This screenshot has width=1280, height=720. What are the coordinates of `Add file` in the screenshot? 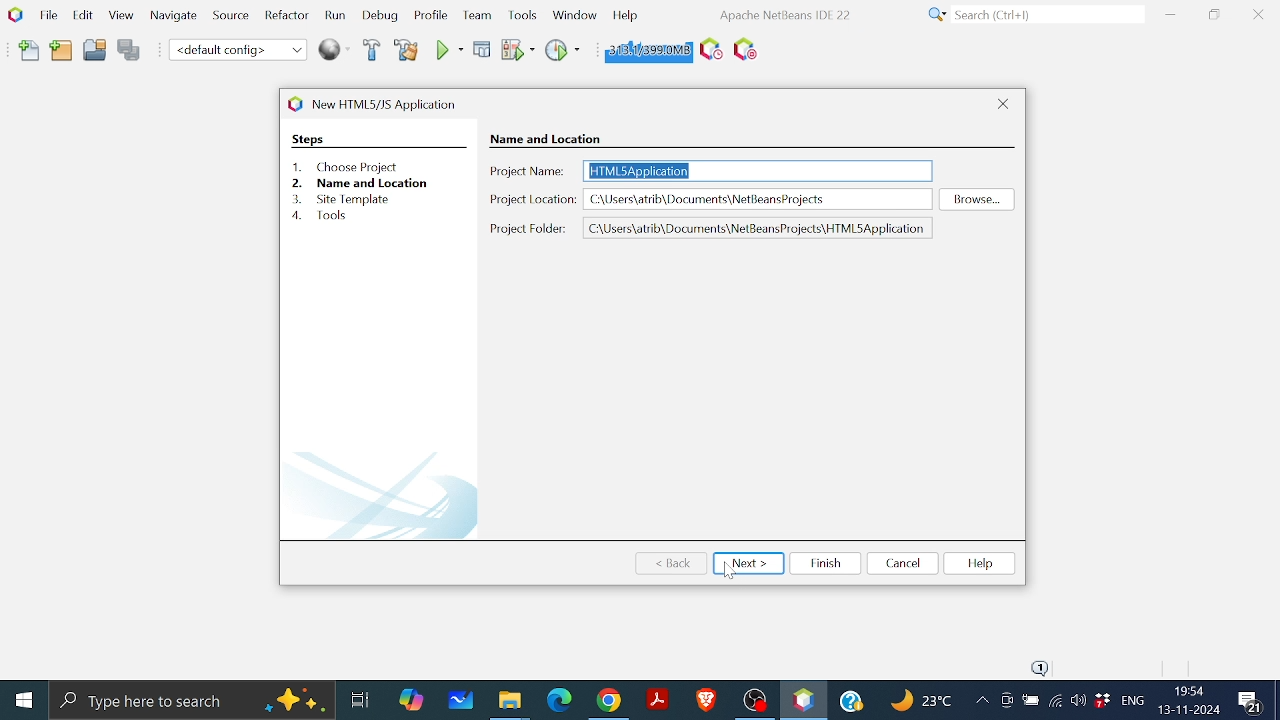 It's located at (30, 51).